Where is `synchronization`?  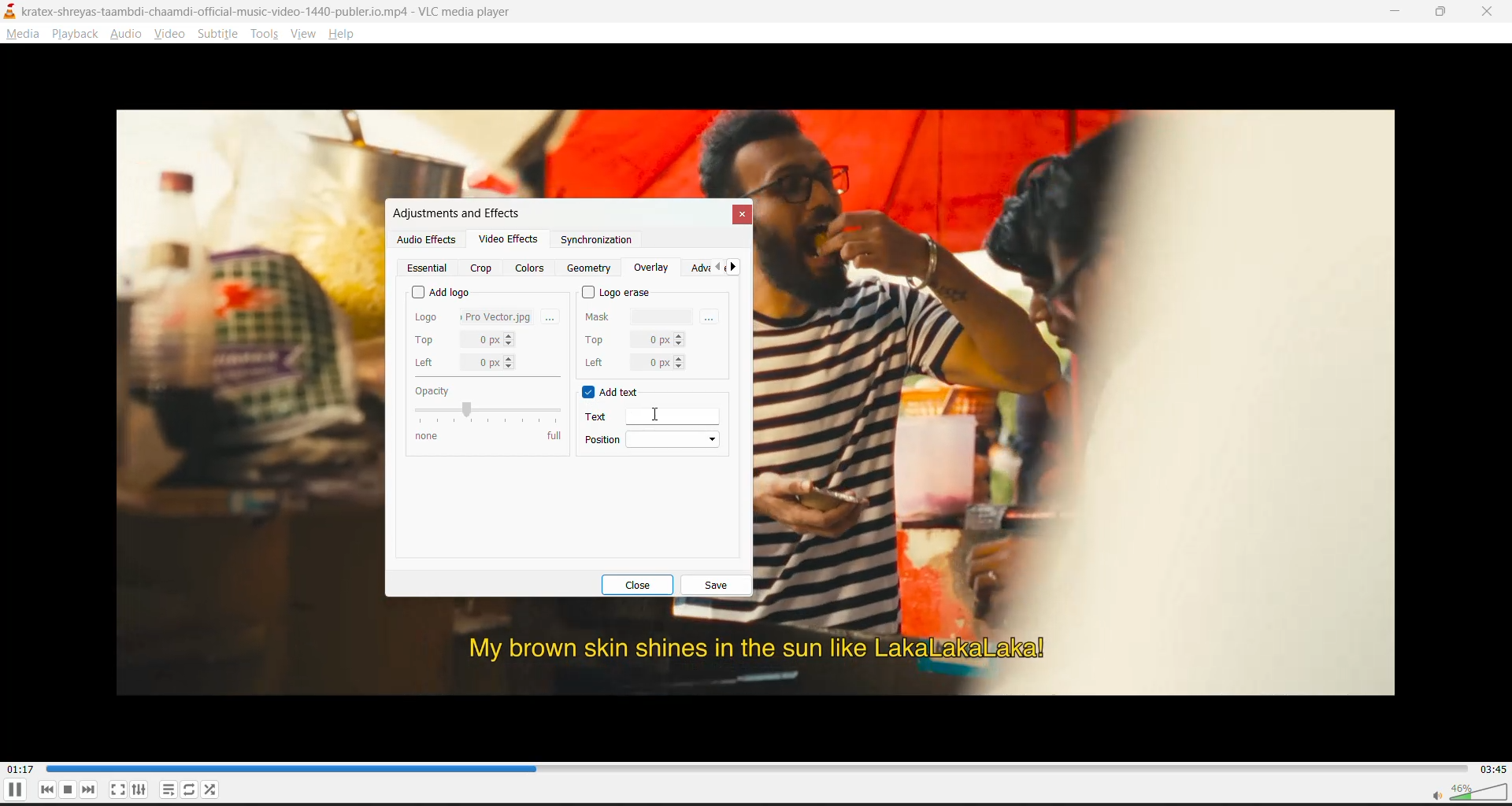
synchronization is located at coordinates (595, 243).